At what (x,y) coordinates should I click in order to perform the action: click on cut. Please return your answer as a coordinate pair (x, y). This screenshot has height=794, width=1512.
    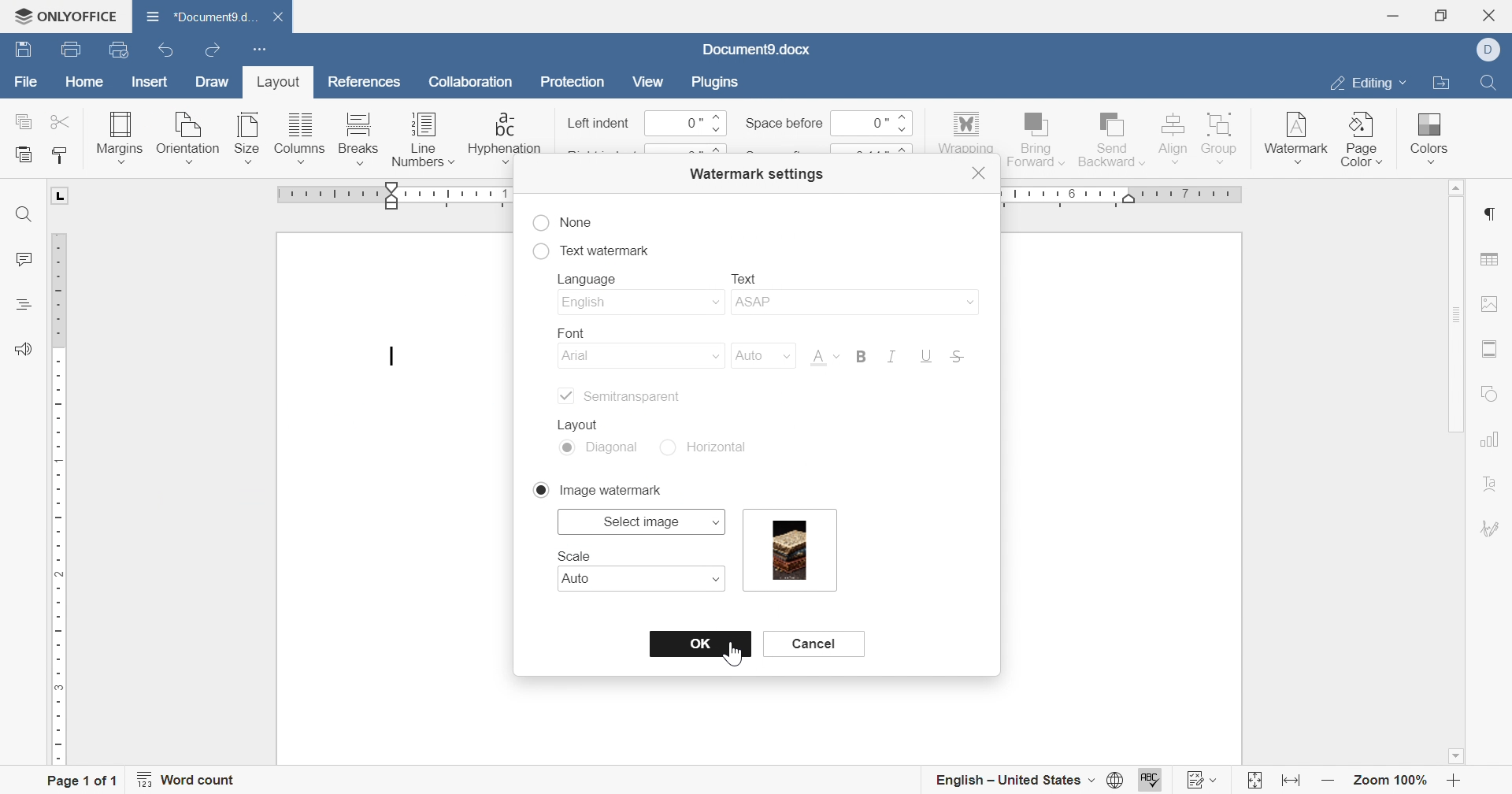
    Looking at the image, I should click on (62, 121).